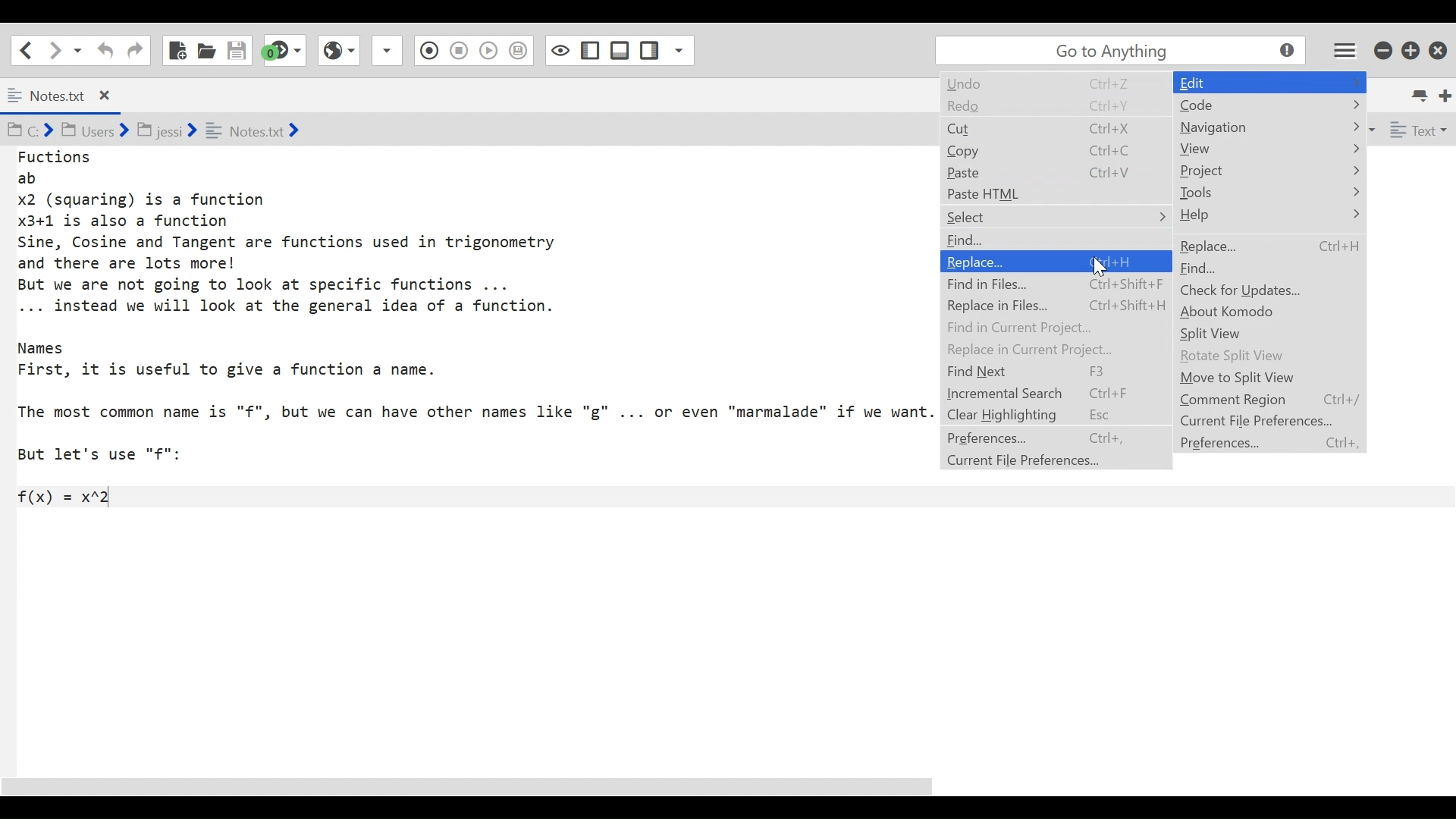 This screenshot has width=1456, height=819. Describe the element at coordinates (975, 240) in the screenshot. I see `Find` at that location.